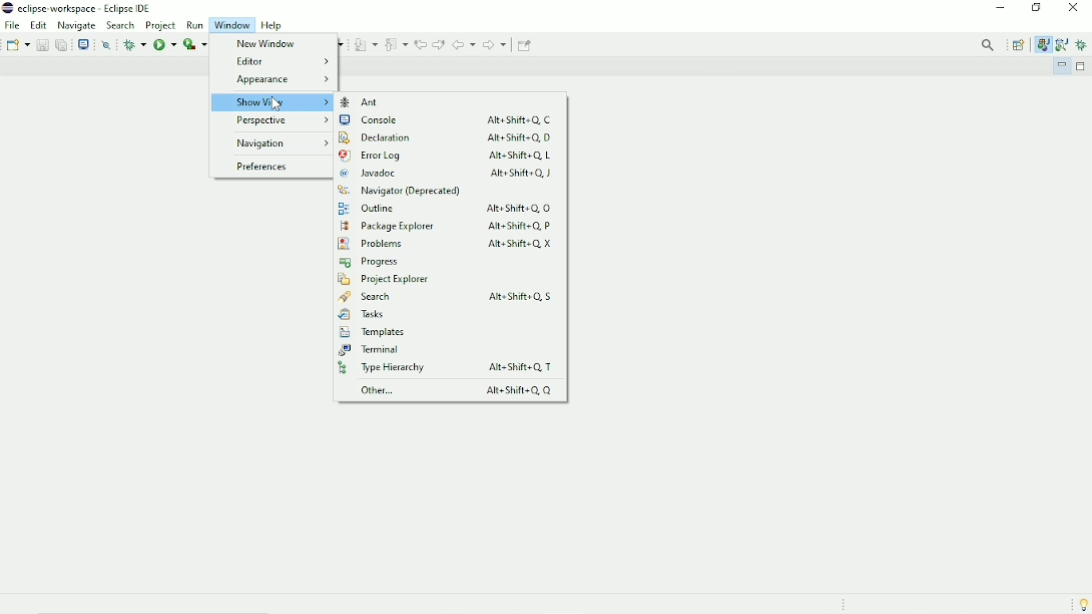  I want to click on Next Annotation, so click(365, 45).